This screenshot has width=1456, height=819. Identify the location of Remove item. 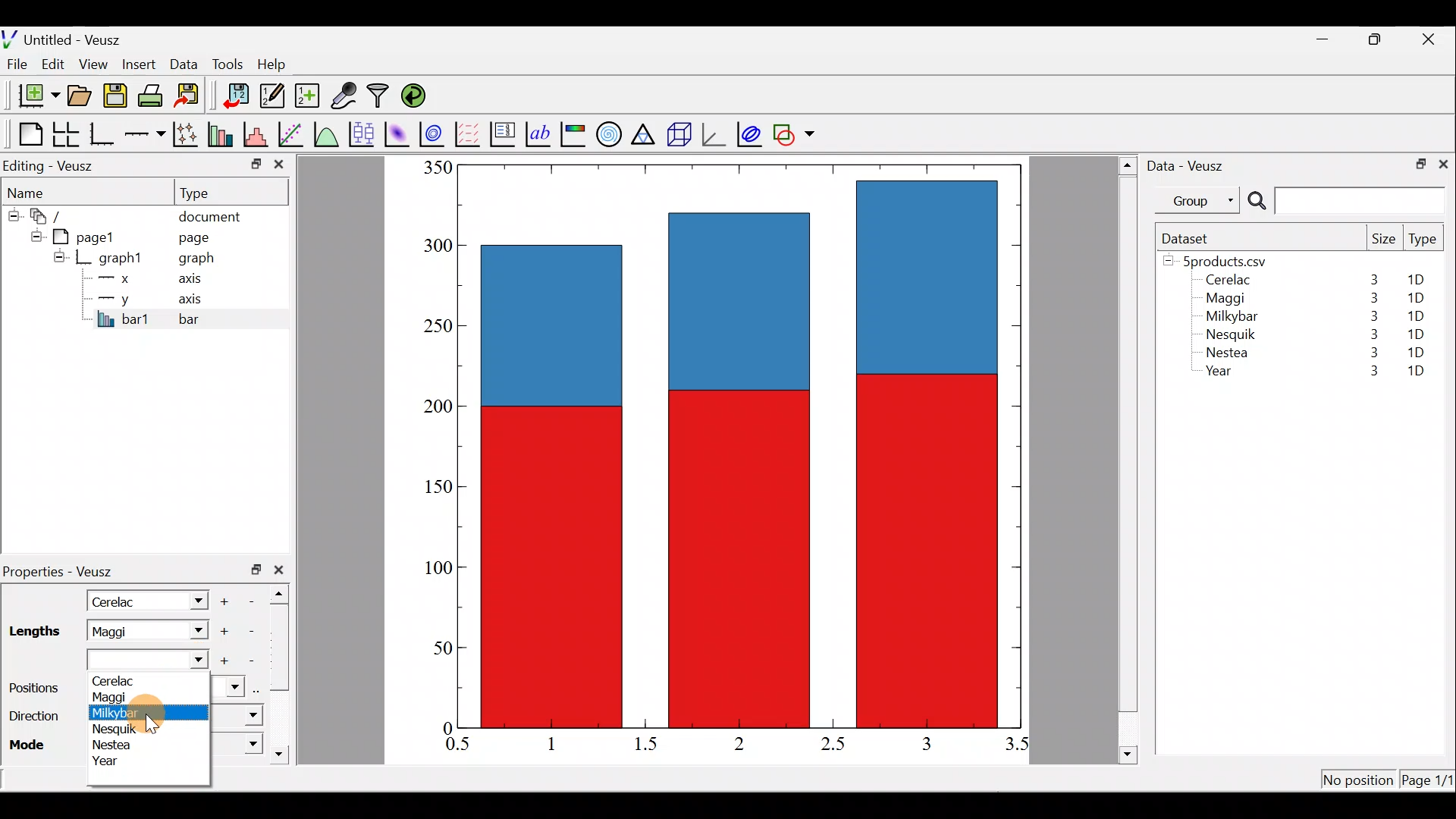
(252, 660).